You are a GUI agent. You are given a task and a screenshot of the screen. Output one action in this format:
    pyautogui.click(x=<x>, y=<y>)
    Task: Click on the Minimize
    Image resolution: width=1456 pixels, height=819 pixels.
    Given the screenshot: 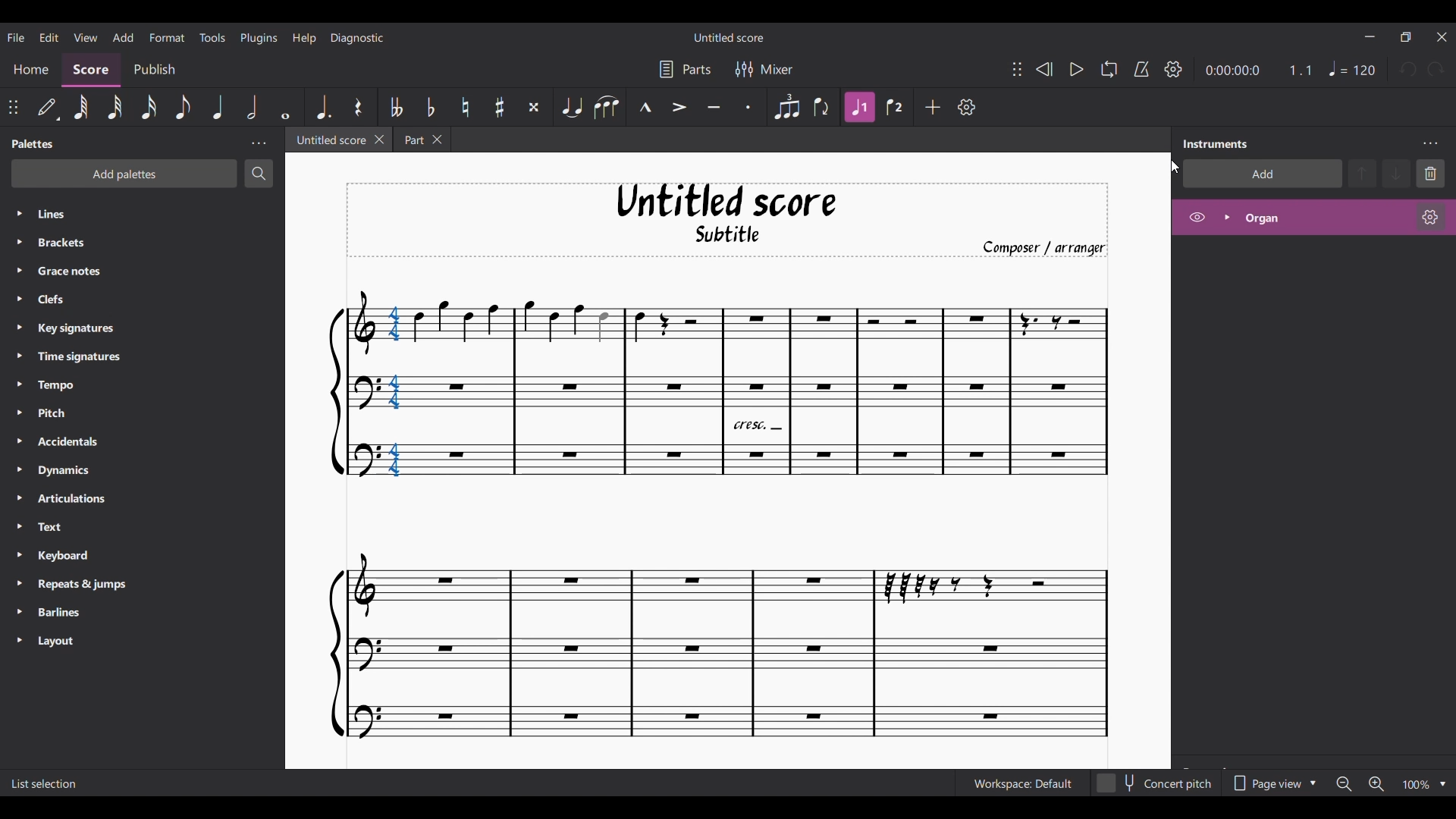 What is the action you would take?
    pyautogui.click(x=1370, y=36)
    